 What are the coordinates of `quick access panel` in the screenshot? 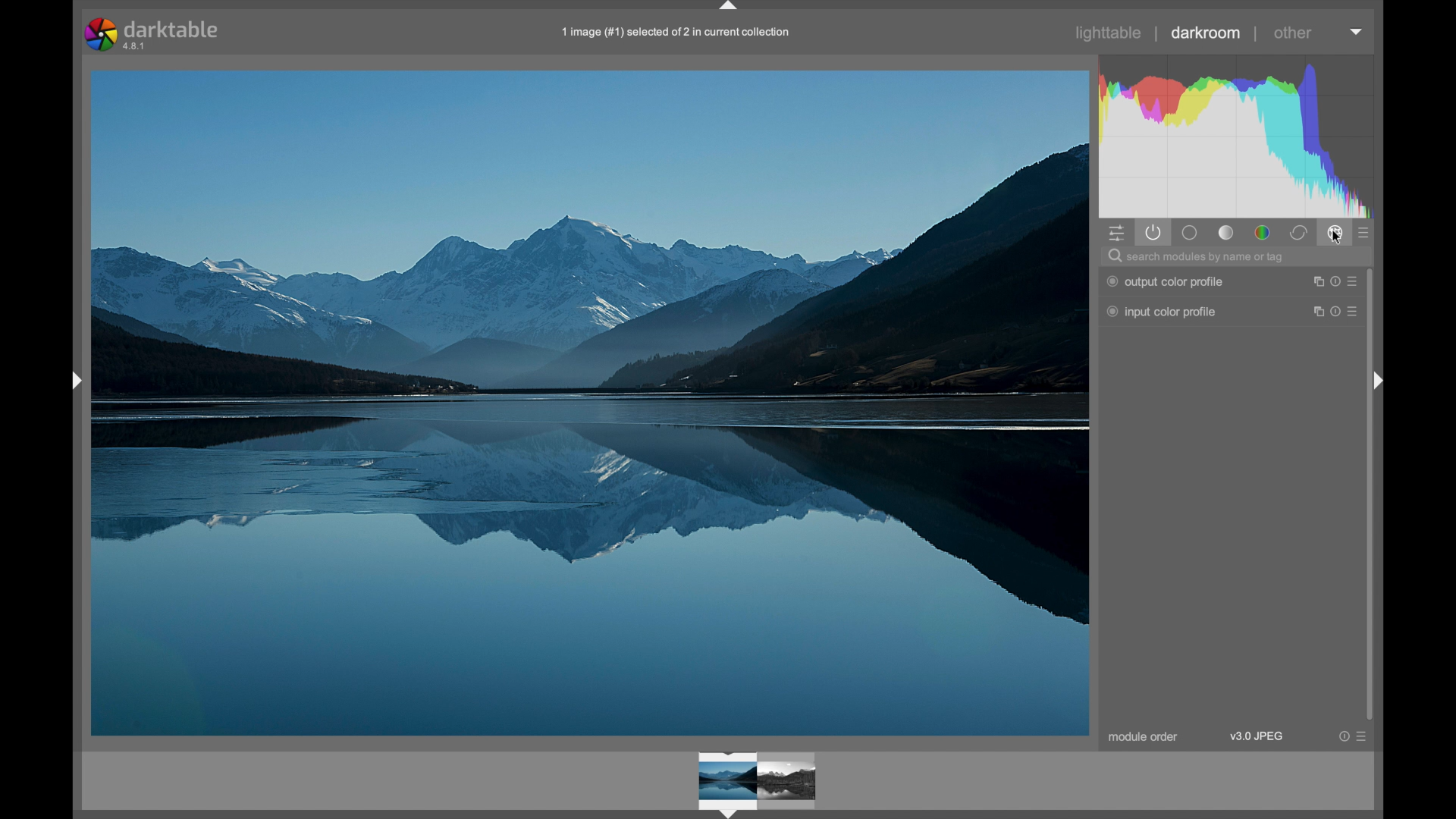 It's located at (1119, 234).